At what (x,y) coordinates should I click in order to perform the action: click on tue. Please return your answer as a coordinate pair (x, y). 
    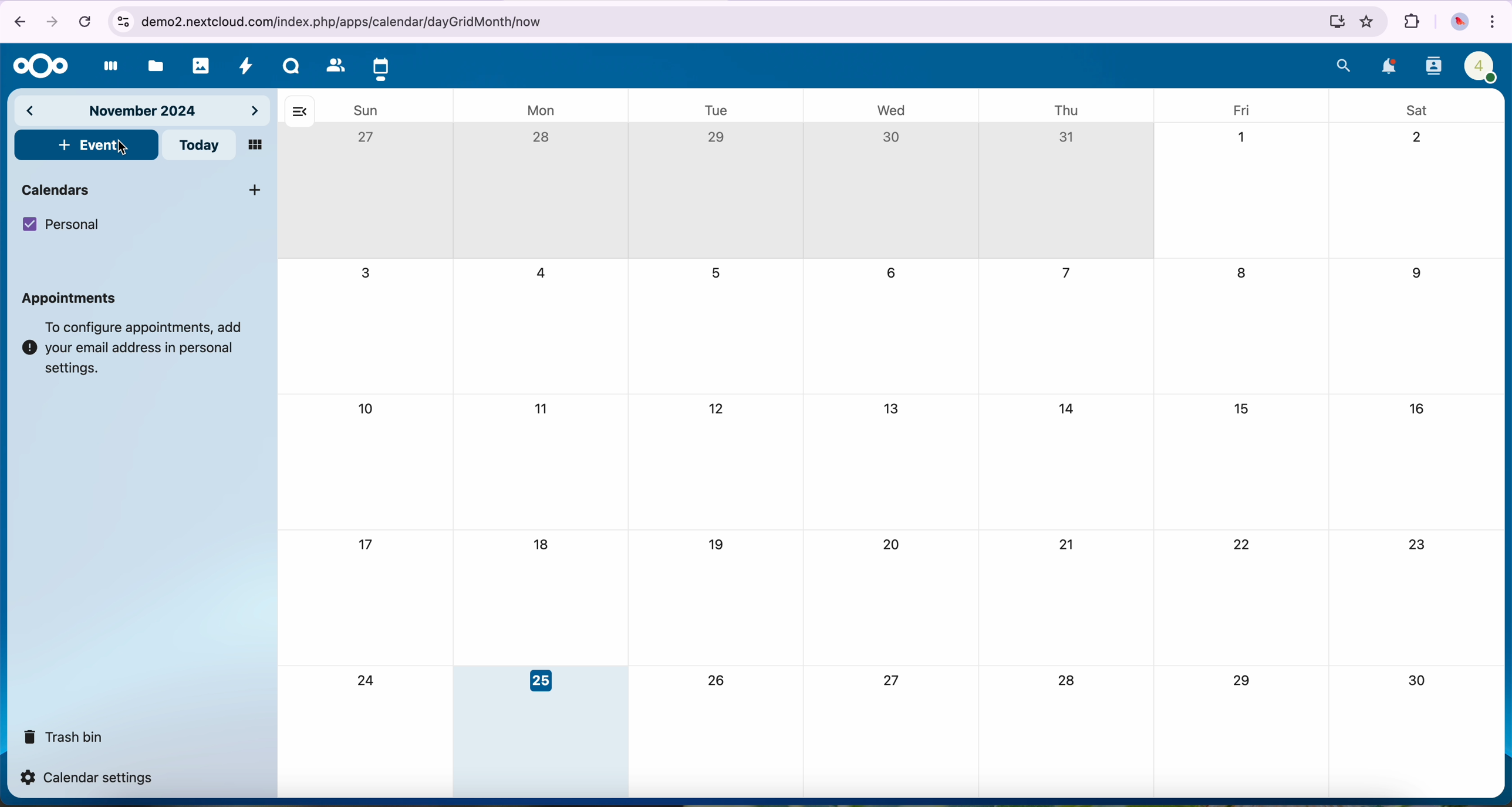
    Looking at the image, I should click on (713, 108).